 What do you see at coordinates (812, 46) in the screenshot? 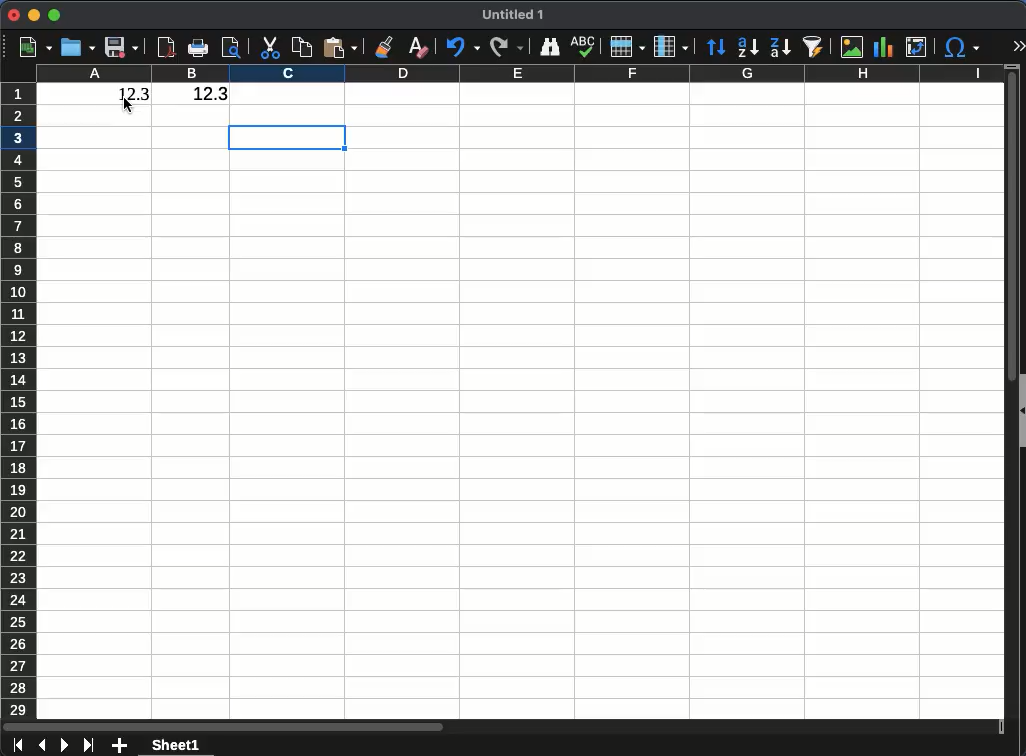
I see `autofilter` at bounding box center [812, 46].